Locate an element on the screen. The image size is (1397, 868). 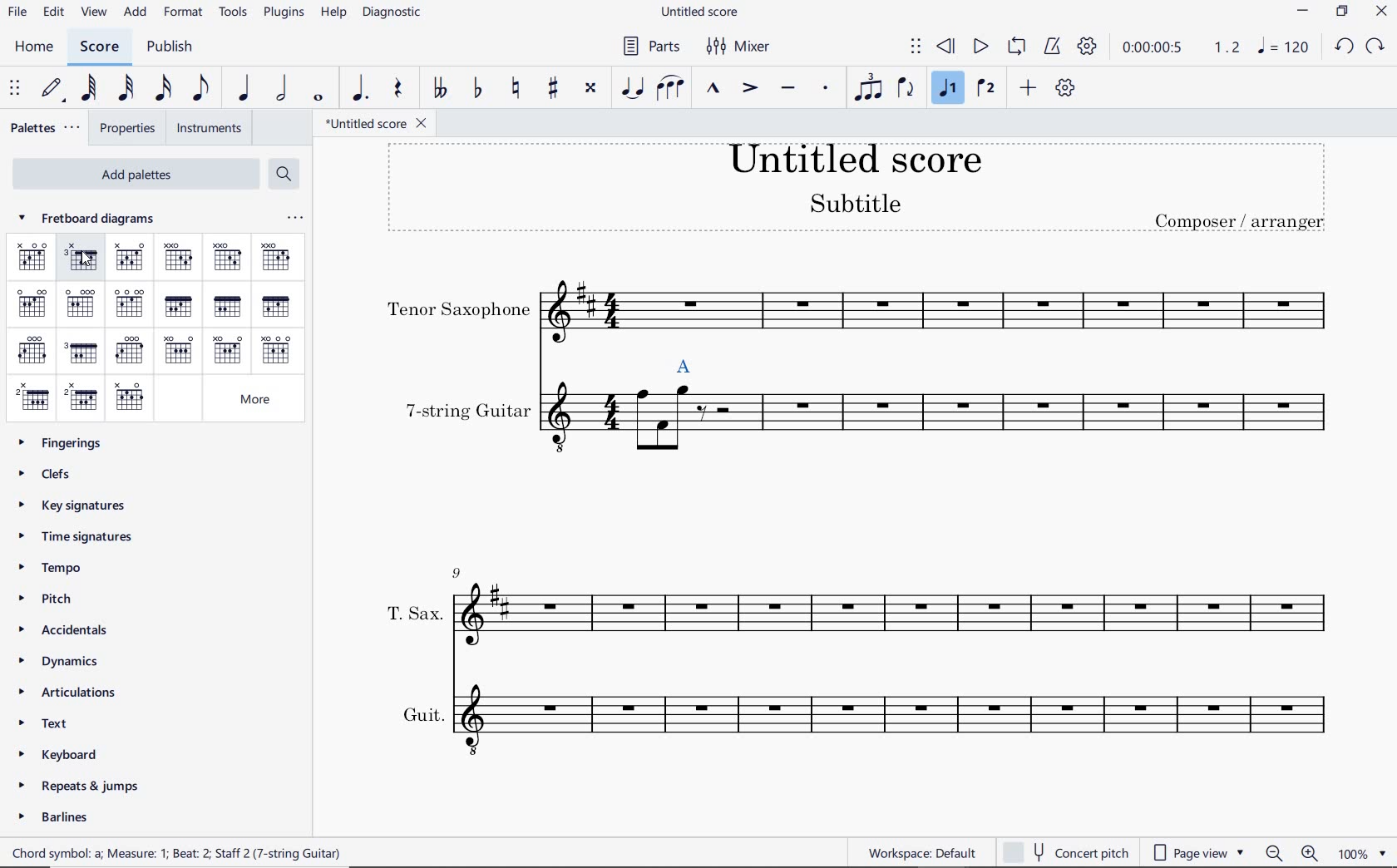
VOICE 1 is located at coordinates (946, 89).